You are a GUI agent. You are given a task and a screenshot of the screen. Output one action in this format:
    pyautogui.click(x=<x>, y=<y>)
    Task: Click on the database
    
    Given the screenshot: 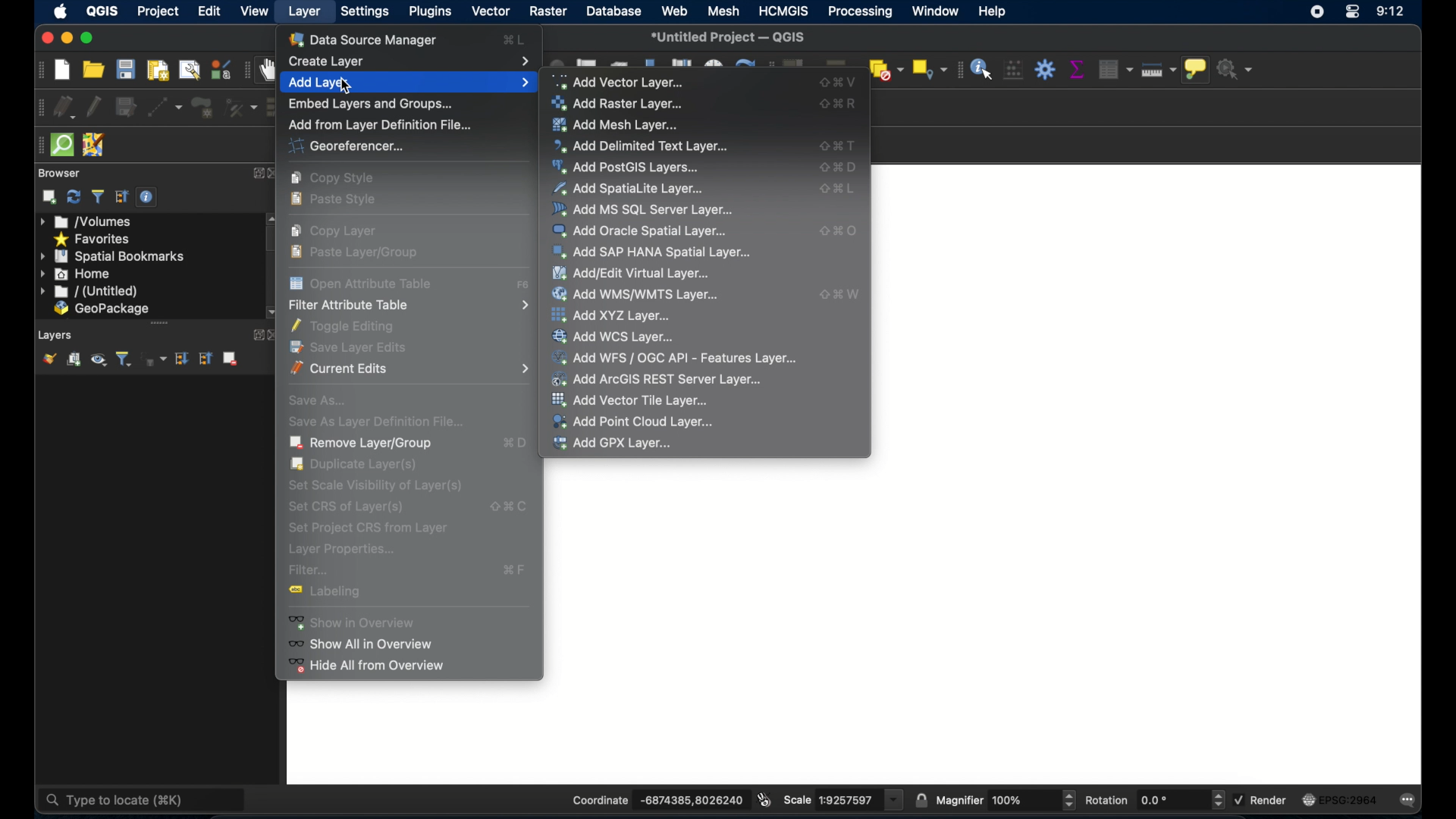 What is the action you would take?
    pyautogui.click(x=613, y=11)
    